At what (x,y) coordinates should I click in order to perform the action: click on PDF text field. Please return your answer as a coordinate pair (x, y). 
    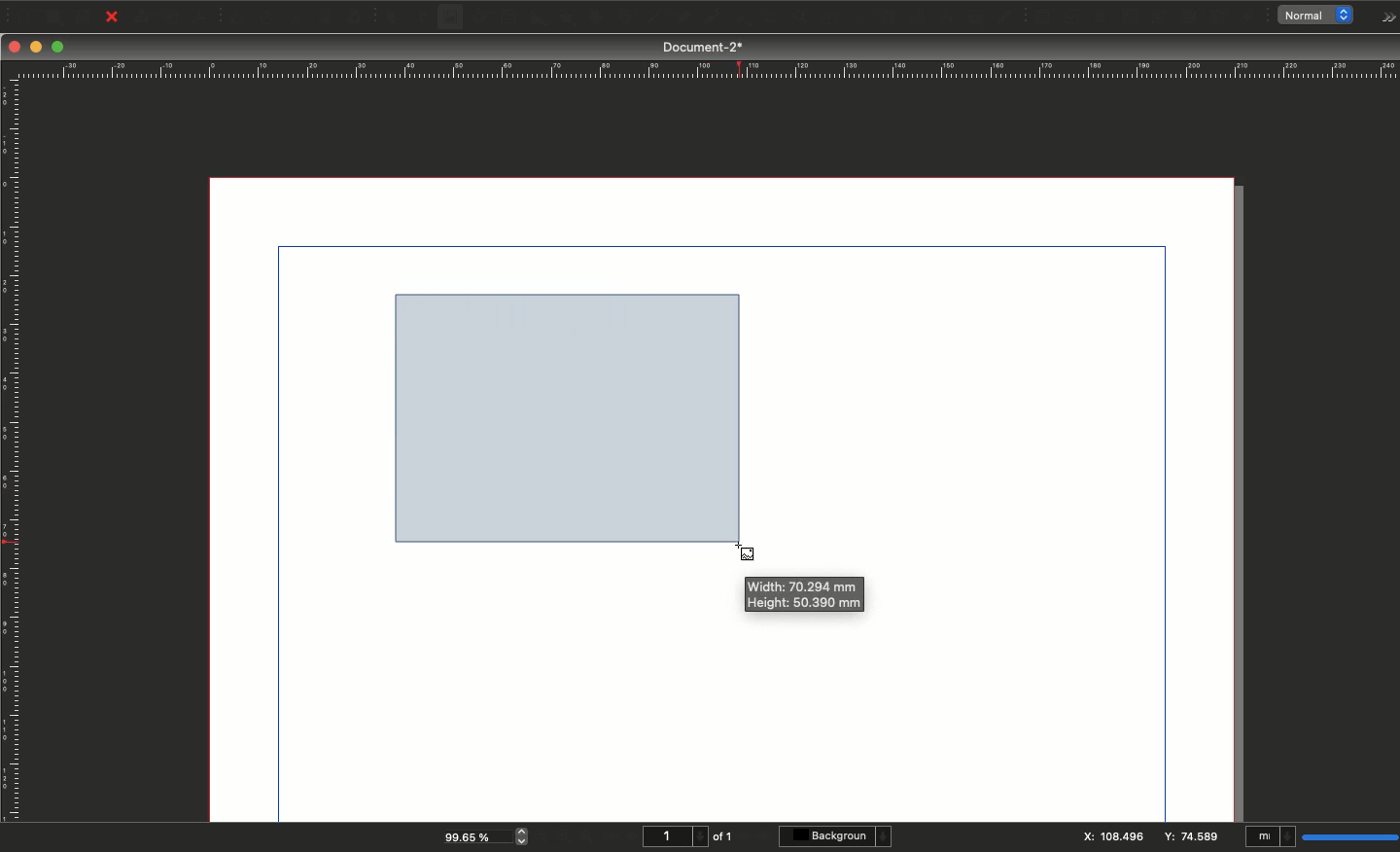
    Looking at the image, I should click on (1129, 18).